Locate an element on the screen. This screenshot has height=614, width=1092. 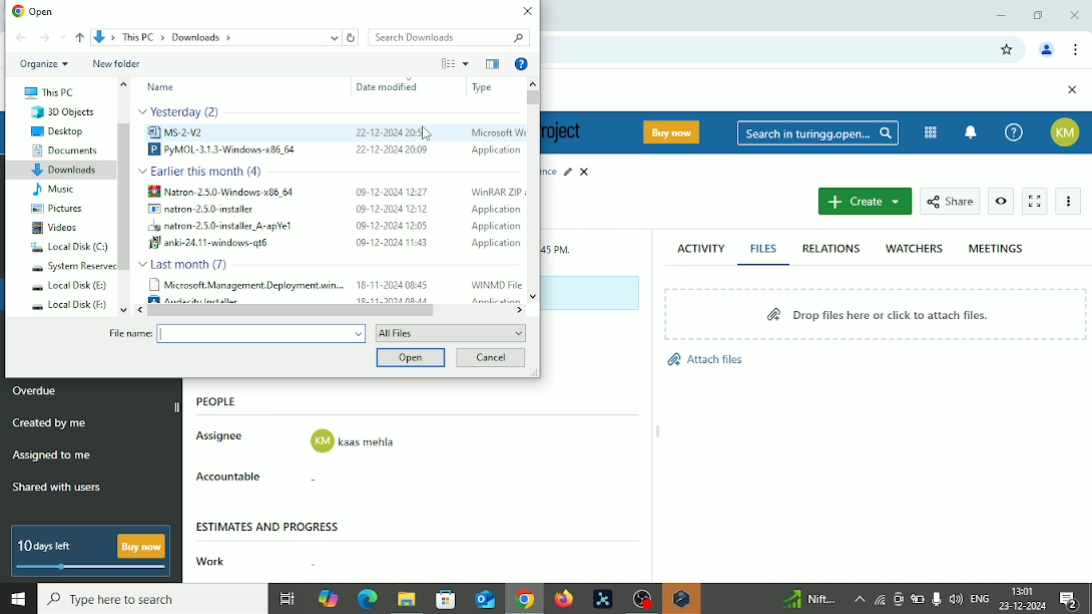
Recent locations is located at coordinates (61, 35).